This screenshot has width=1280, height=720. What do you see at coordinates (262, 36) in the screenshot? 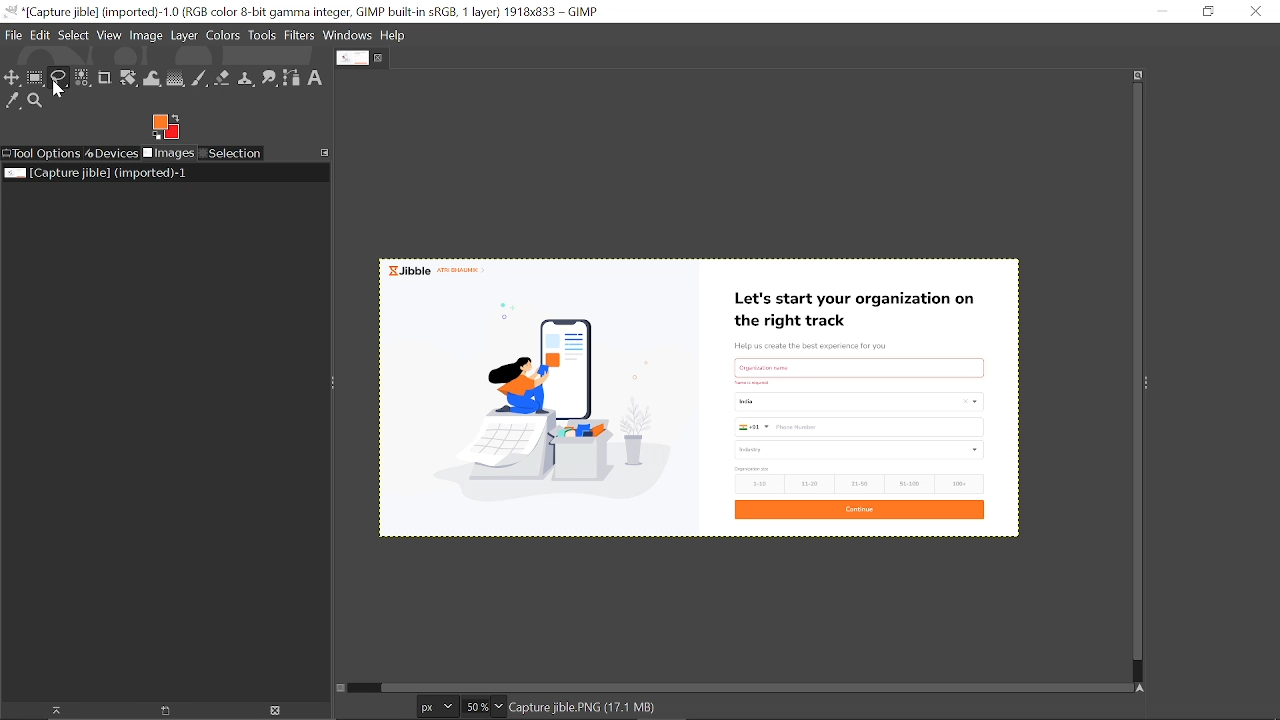
I see `Tools` at bounding box center [262, 36].